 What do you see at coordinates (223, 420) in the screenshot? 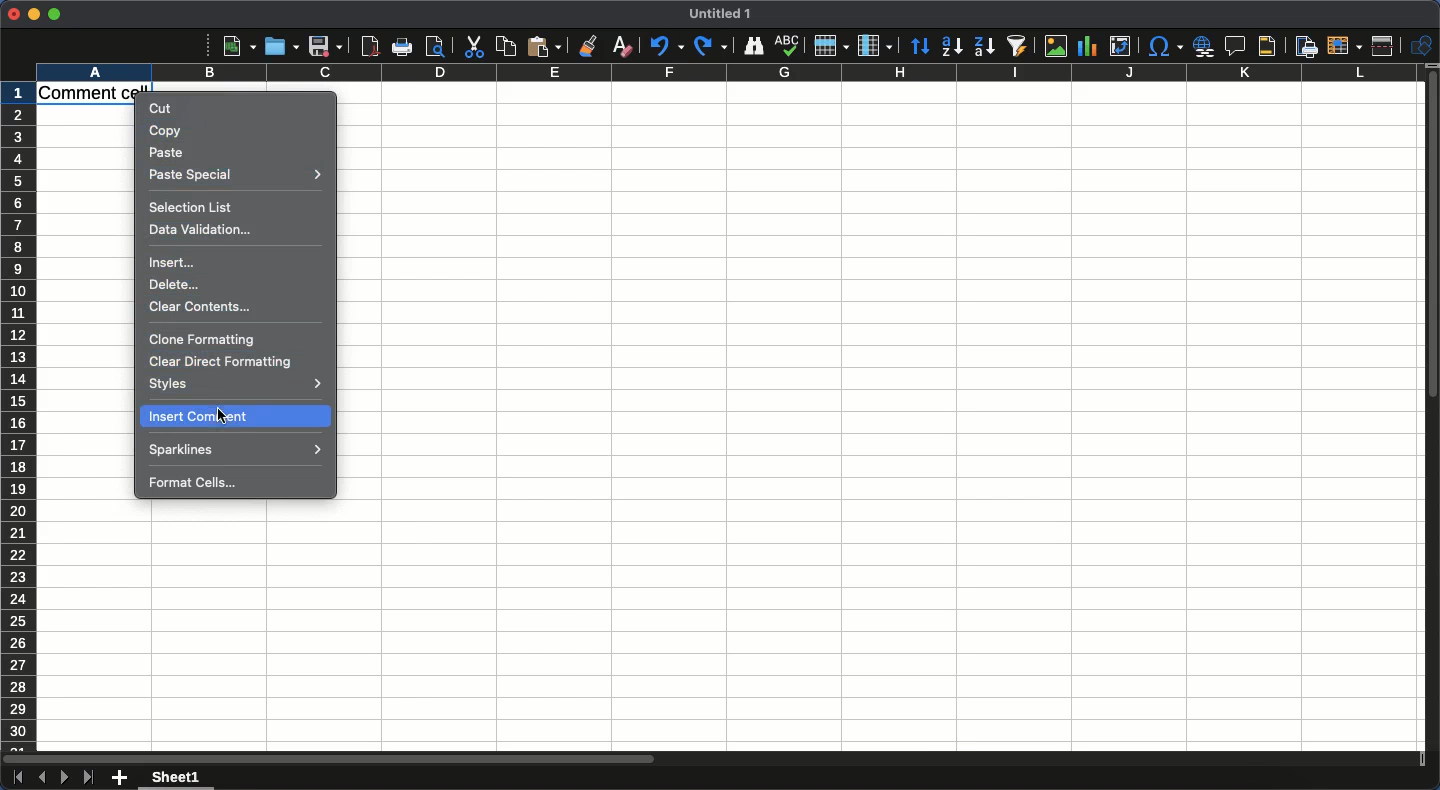
I see `cursor` at bounding box center [223, 420].